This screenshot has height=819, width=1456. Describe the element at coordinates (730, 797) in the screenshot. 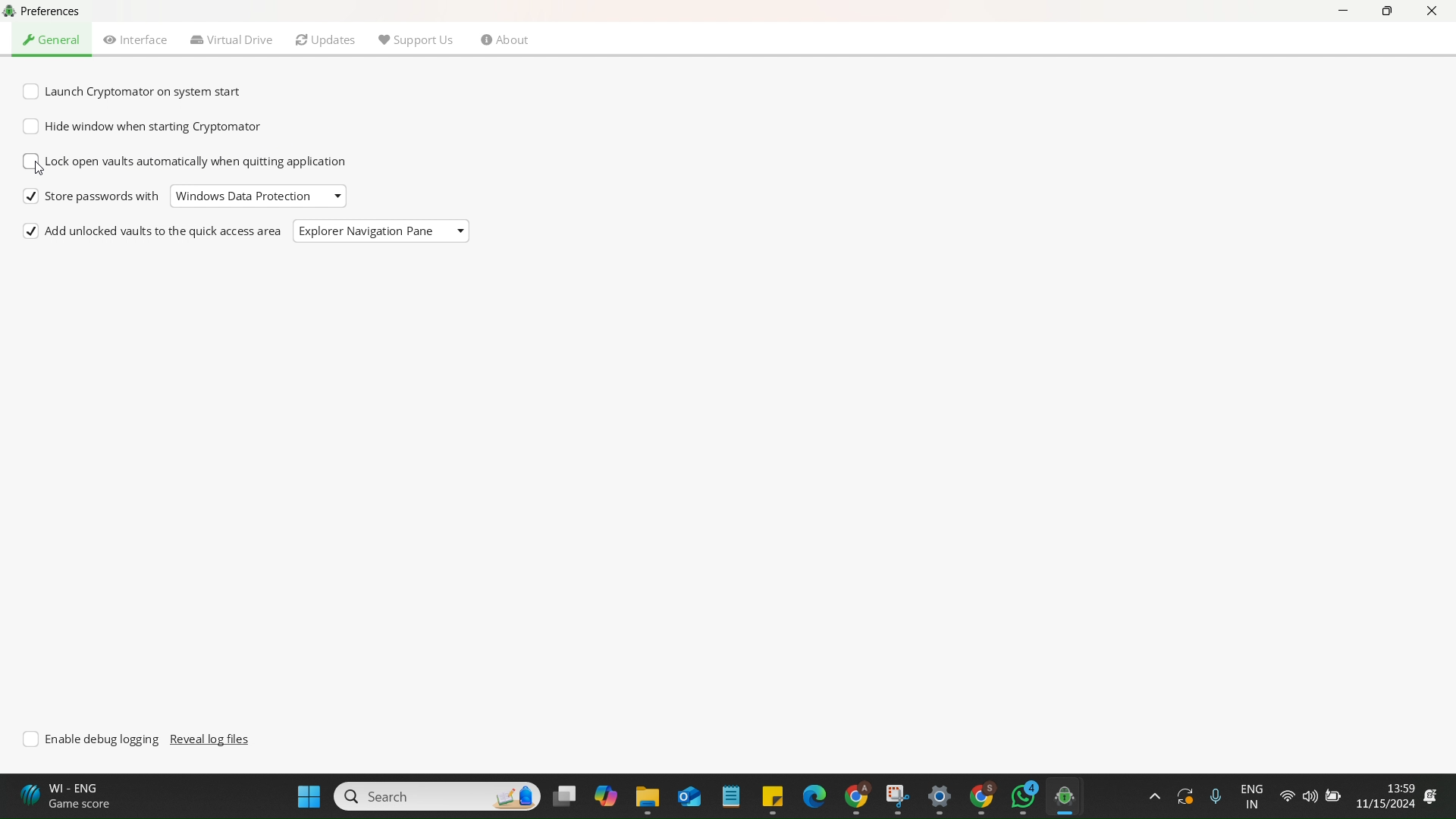

I see `Notepad` at that location.